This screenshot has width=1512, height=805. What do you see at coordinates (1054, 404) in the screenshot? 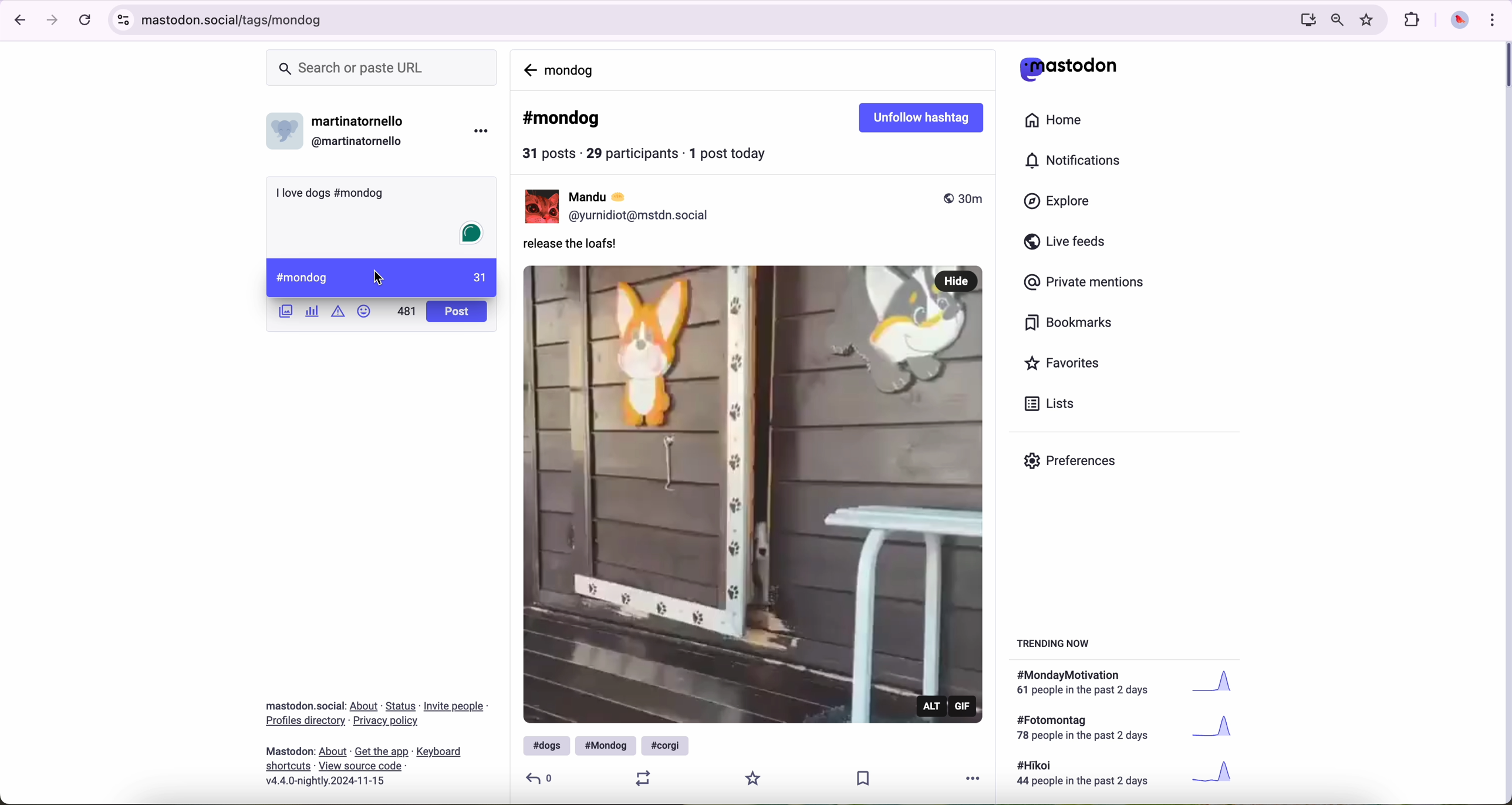
I see `lists` at bounding box center [1054, 404].